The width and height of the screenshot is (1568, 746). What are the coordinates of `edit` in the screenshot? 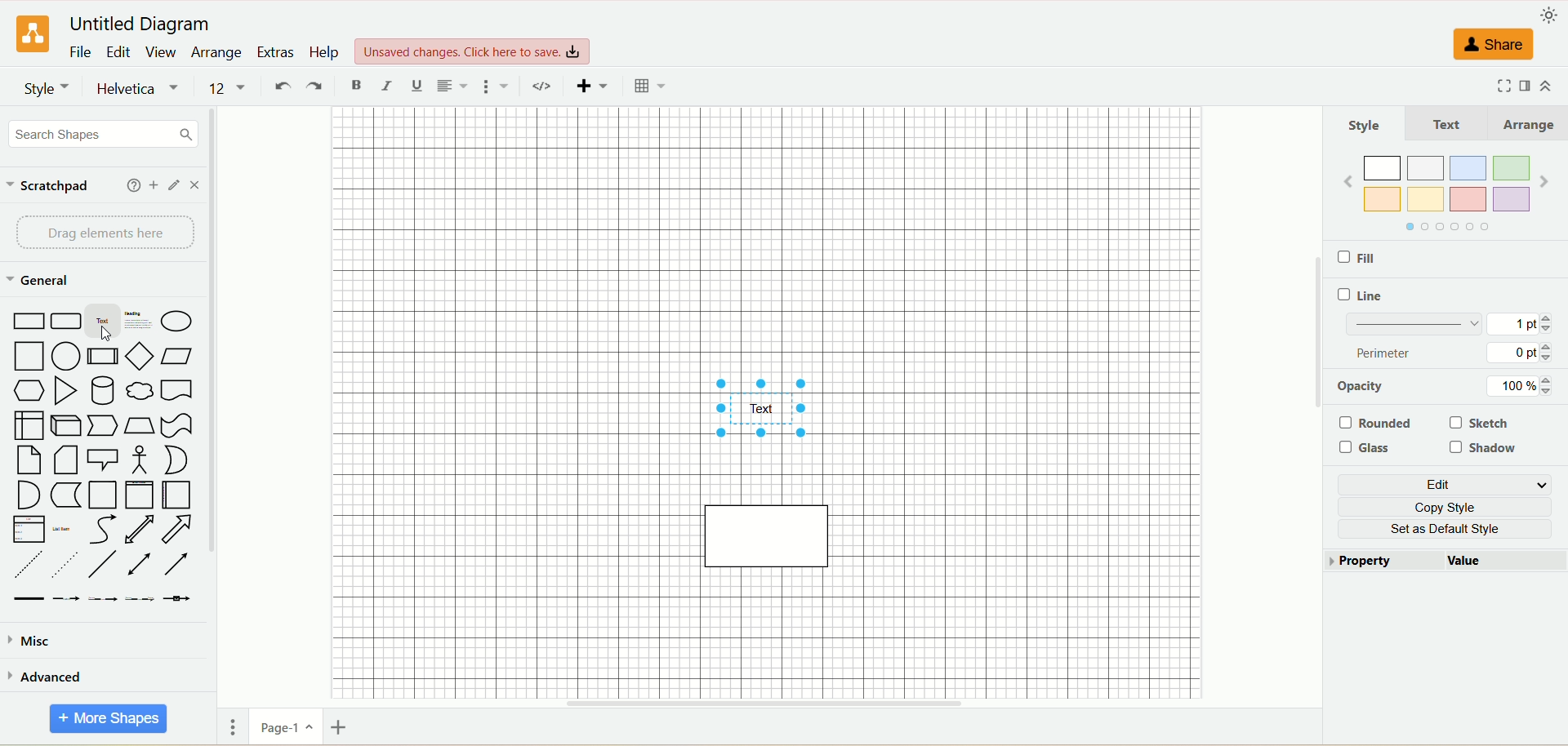 It's located at (1451, 486).